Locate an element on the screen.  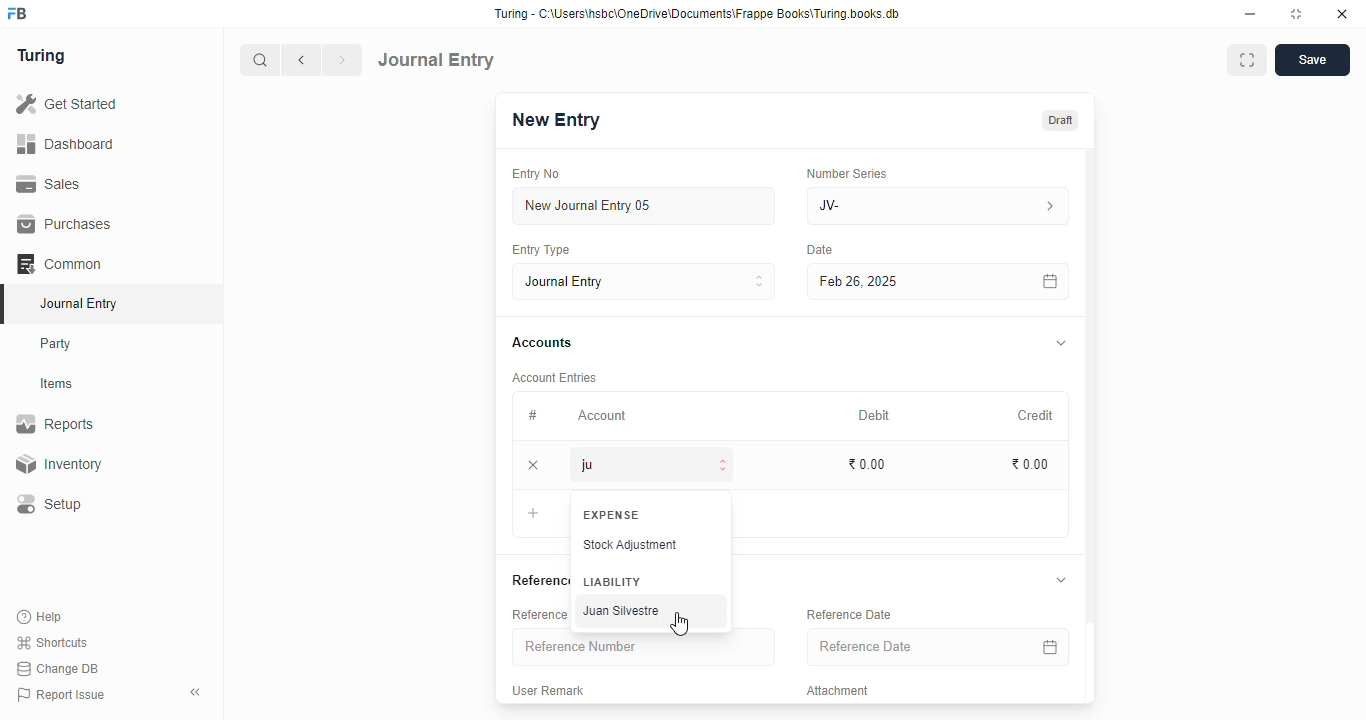
reports is located at coordinates (56, 424).